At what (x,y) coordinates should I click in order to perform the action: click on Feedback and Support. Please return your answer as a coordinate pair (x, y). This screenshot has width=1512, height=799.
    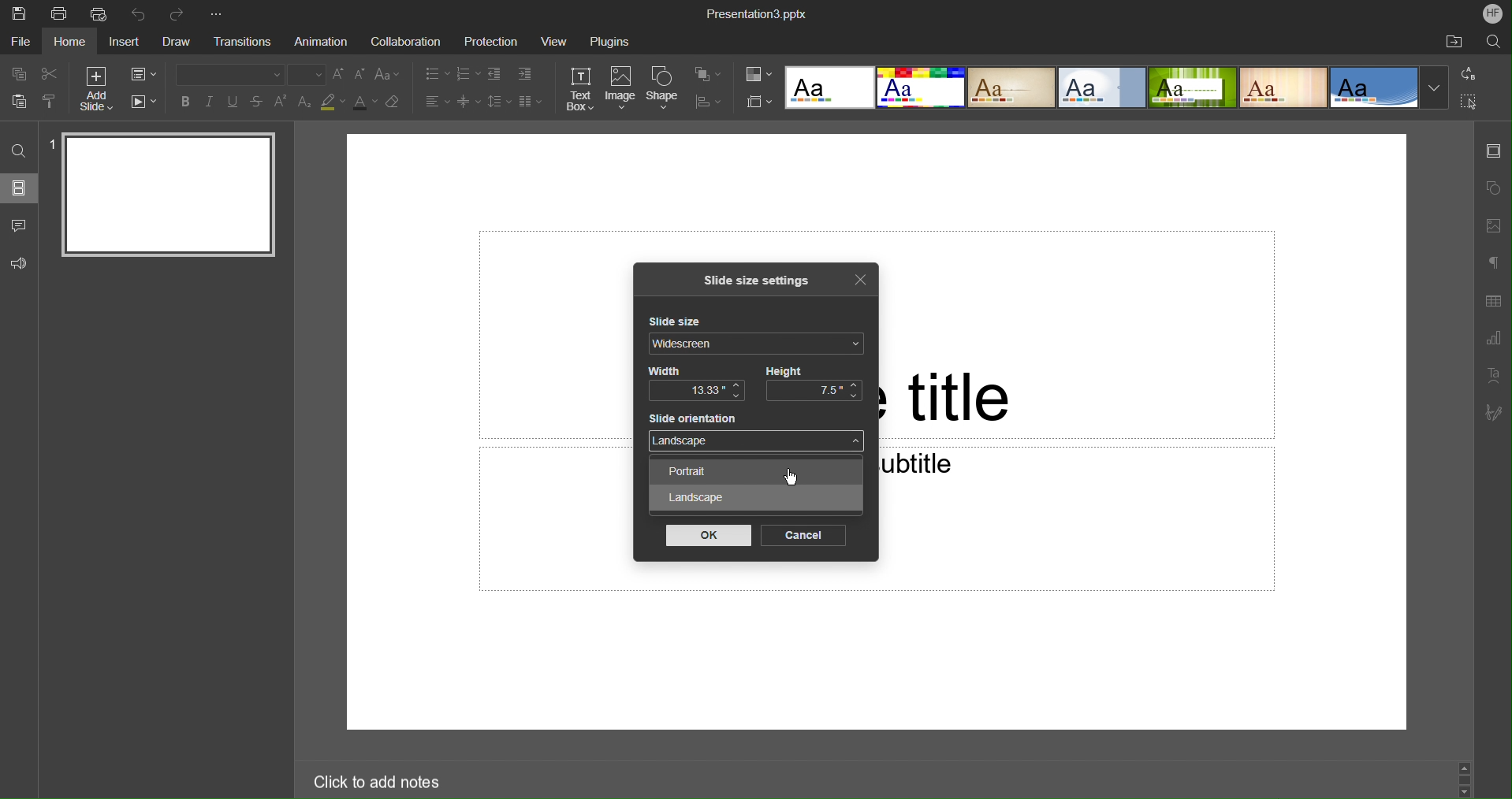
    Looking at the image, I should click on (19, 263).